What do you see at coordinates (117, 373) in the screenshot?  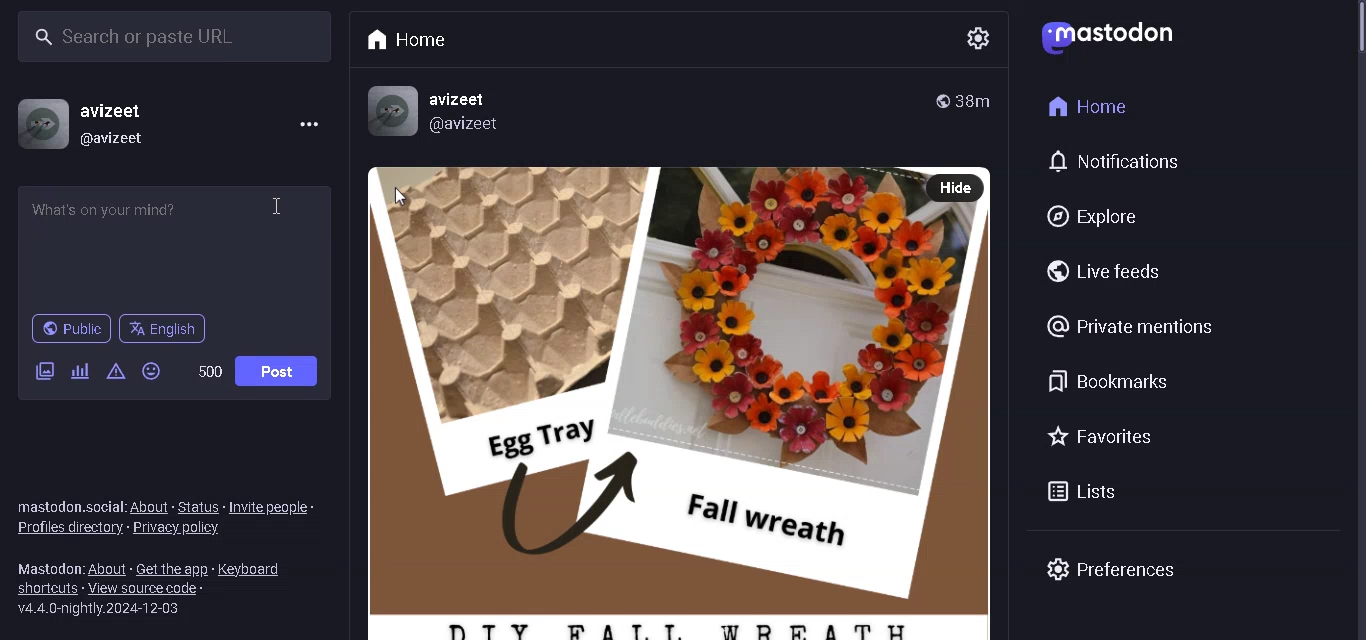 I see `content warning` at bounding box center [117, 373].